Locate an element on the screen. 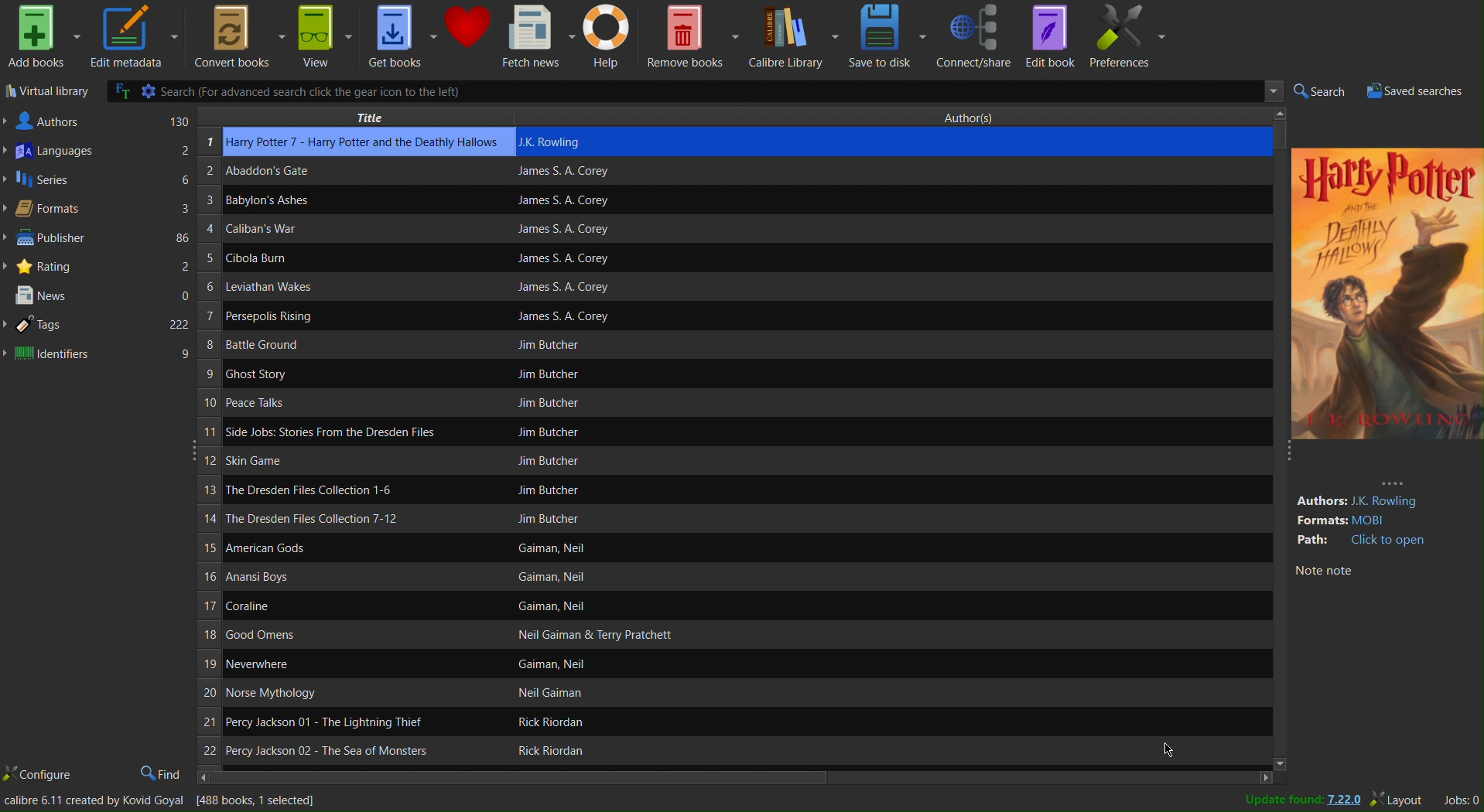  selected book is located at coordinates (368, 142).